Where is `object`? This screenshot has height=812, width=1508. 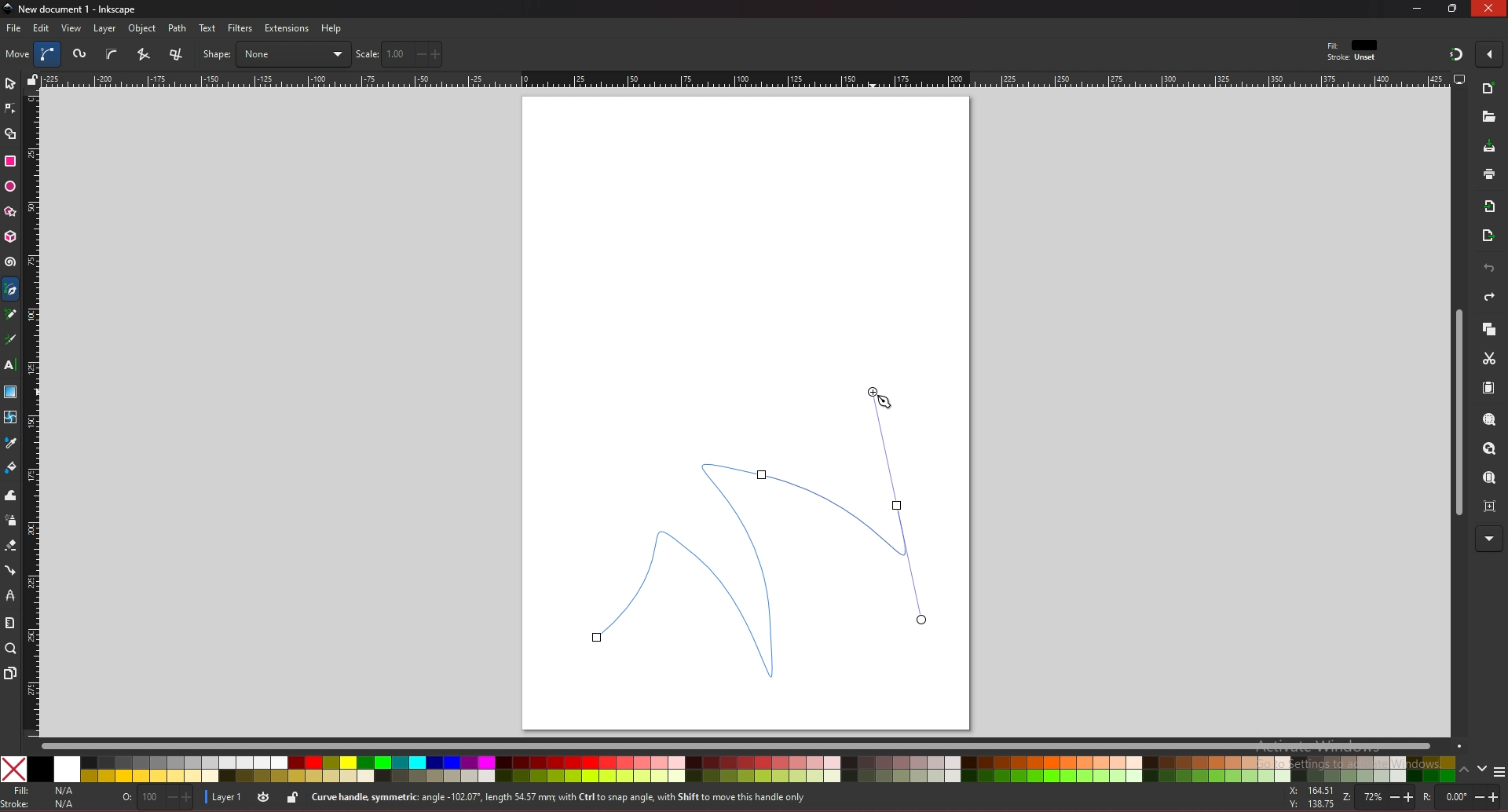 object is located at coordinates (145, 29).